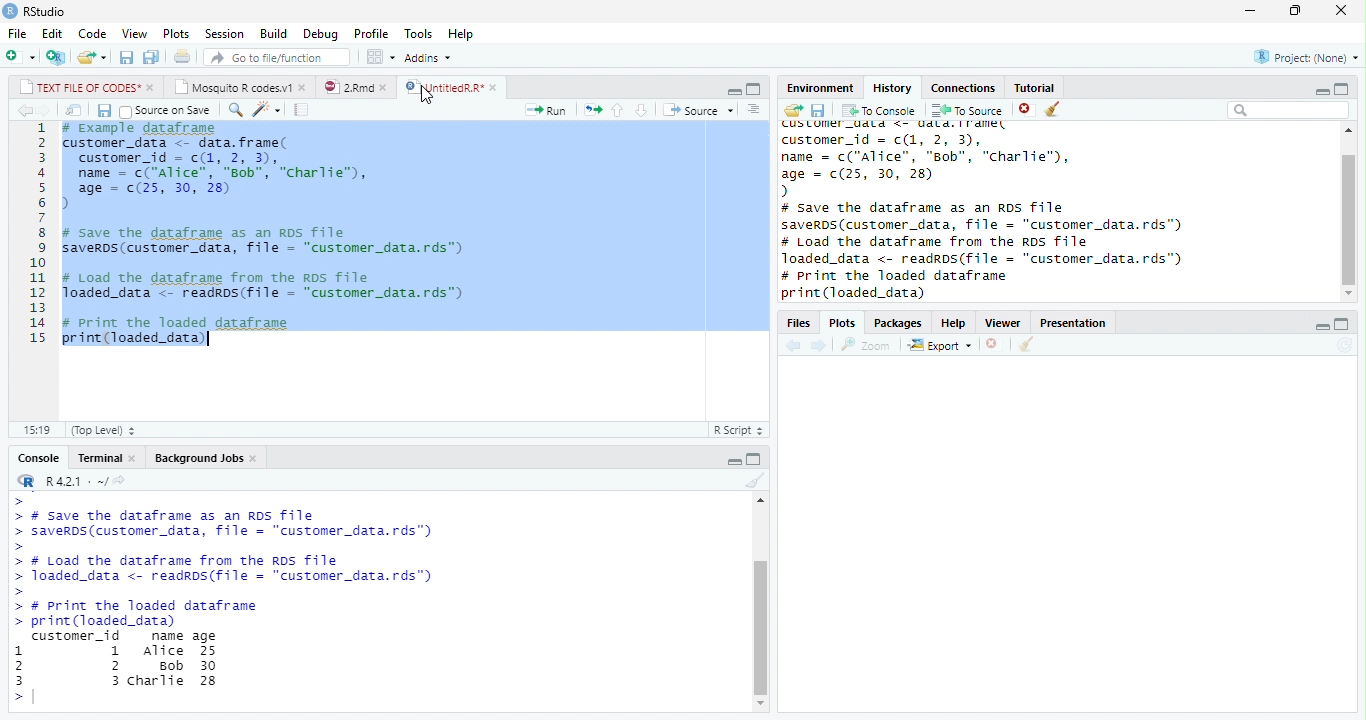 This screenshot has height=720, width=1366. What do you see at coordinates (754, 459) in the screenshot?
I see `maximize` at bounding box center [754, 459].